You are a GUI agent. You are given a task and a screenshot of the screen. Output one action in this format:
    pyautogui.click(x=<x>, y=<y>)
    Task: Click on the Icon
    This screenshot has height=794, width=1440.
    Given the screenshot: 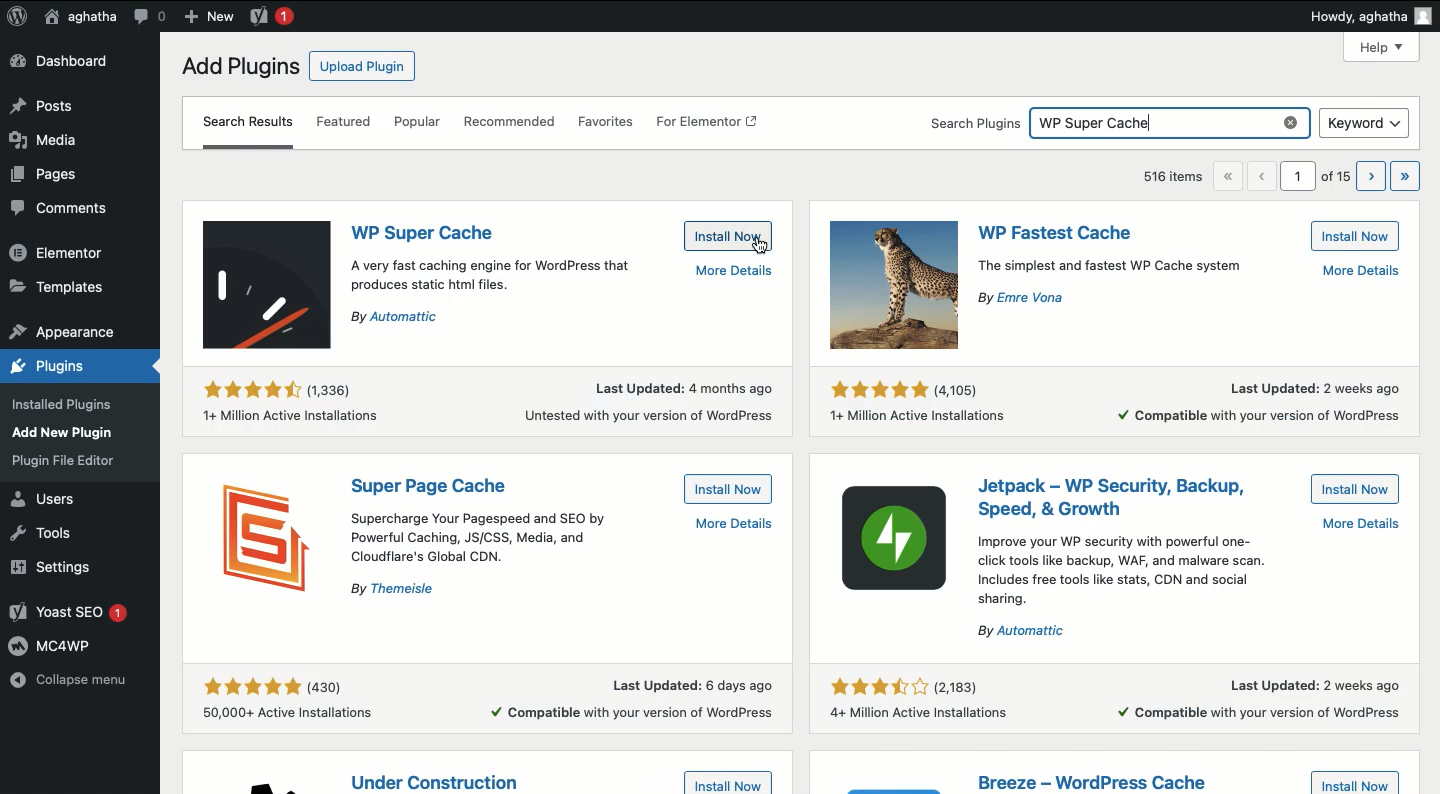 What is the action you would take?
    pyautogui.click(x=888, y=285)
    